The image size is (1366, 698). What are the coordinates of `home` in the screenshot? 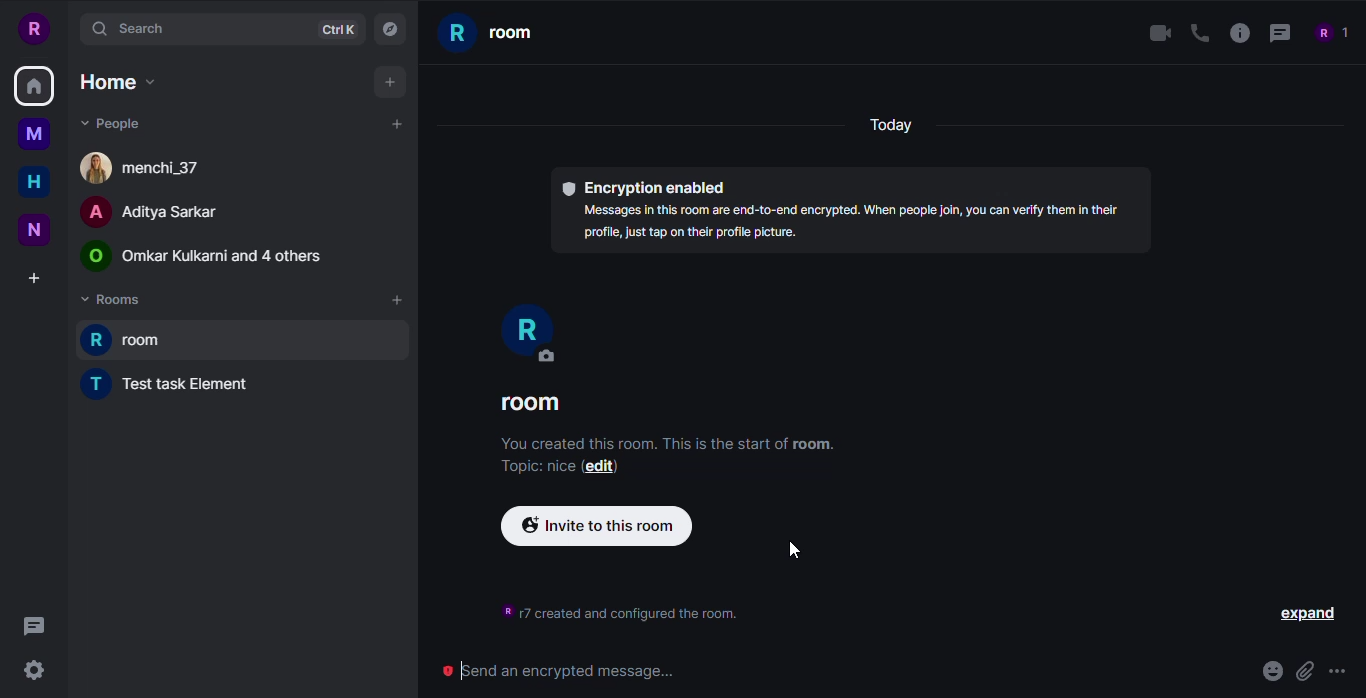 It's located at (34, 181).